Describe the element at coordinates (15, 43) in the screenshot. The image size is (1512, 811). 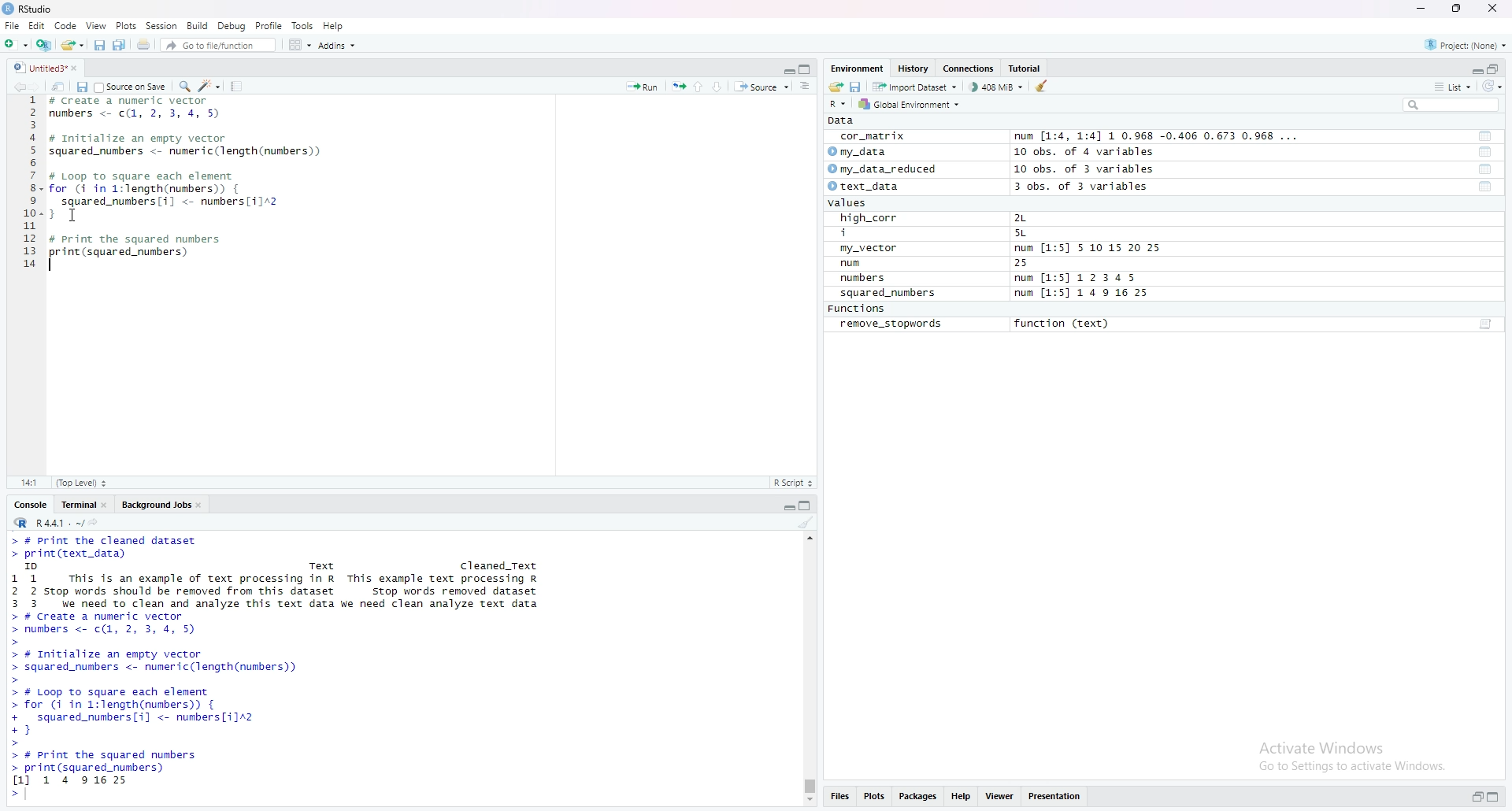
I see `New File` at that location.